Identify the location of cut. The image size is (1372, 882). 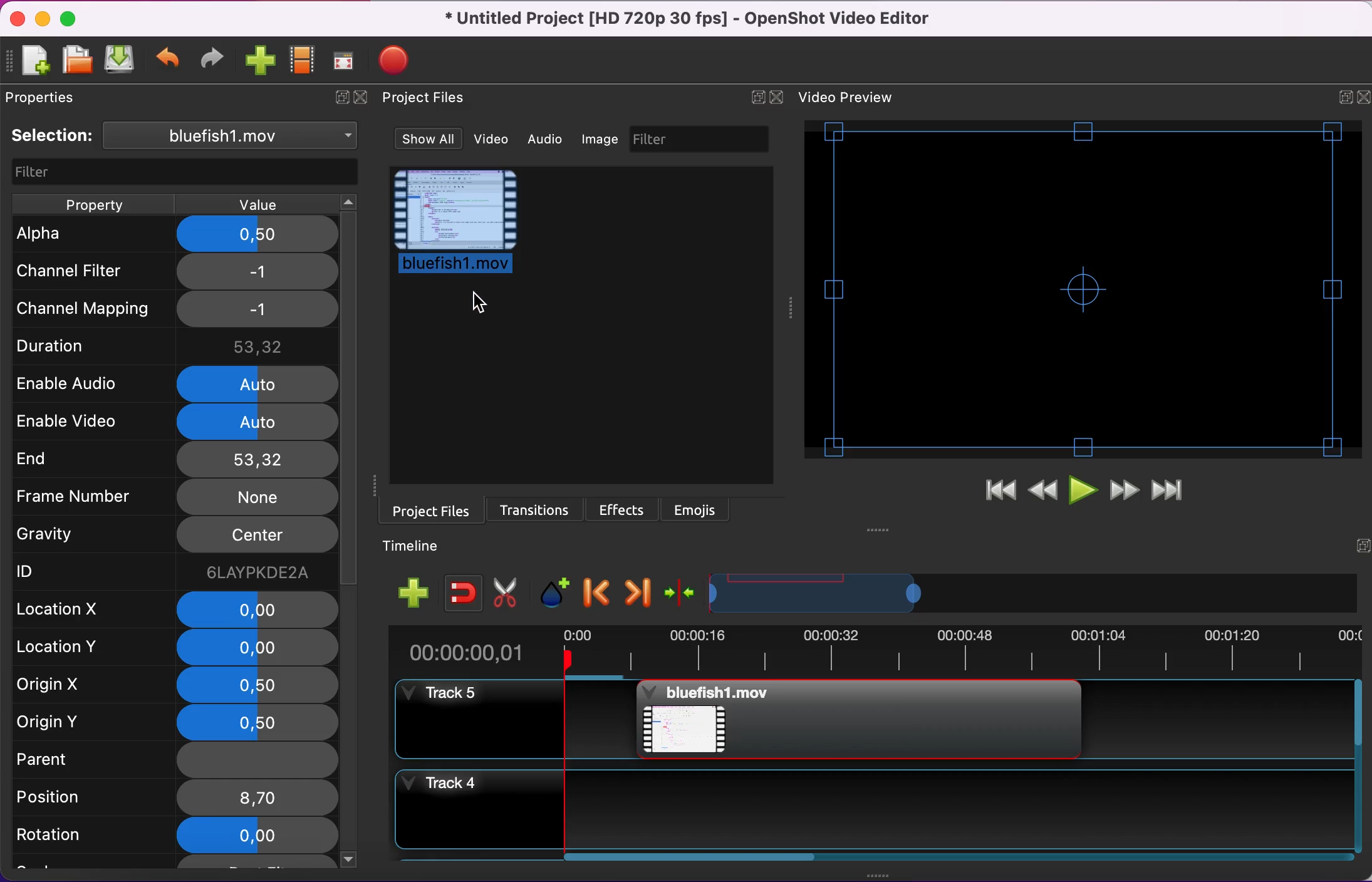
(509, 591).